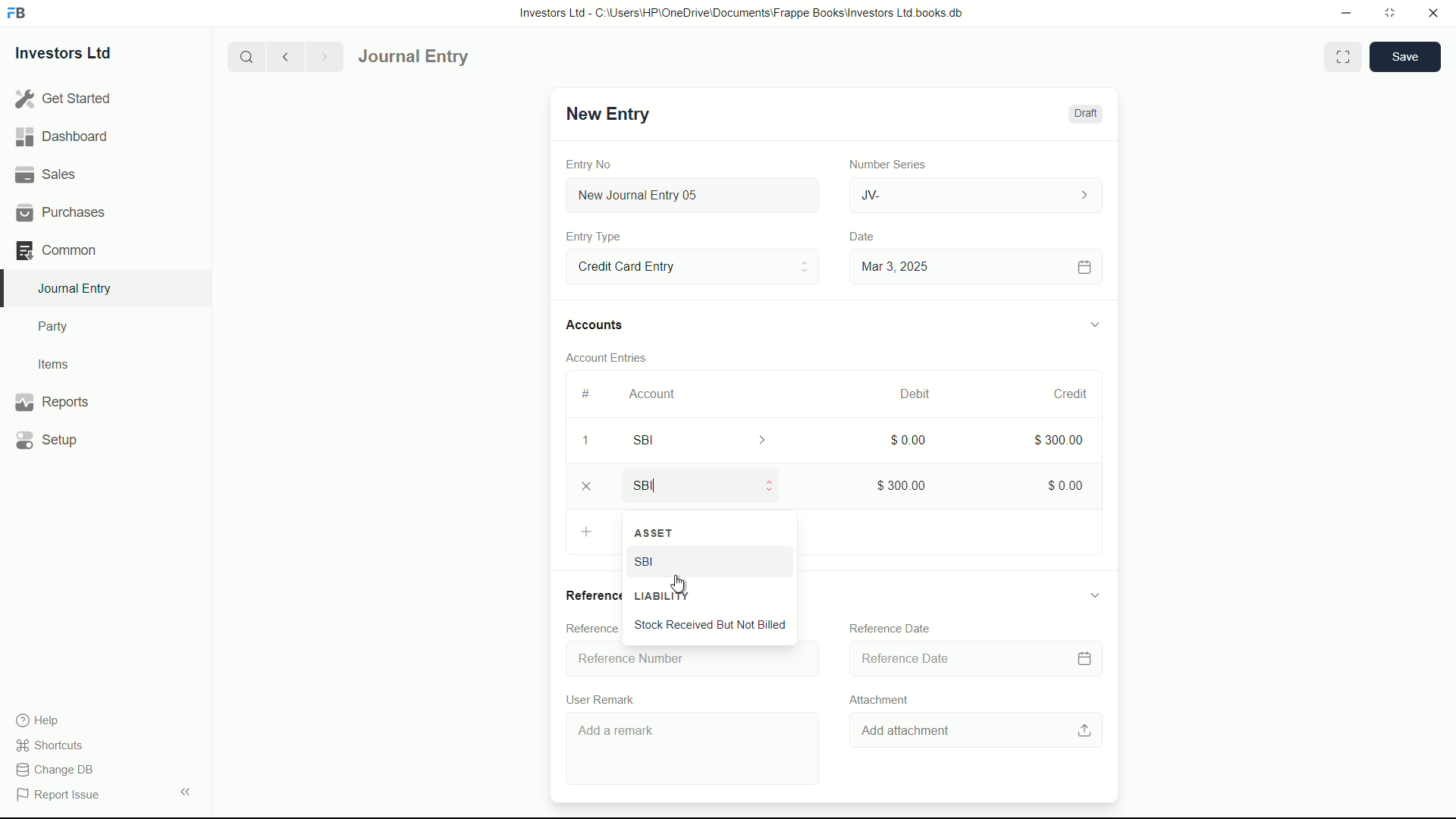 The height and width of the screenshot is (819, 1456). Describe the element at coordinates (1389, 11) in the screenshot. I see `maximize` at that location.